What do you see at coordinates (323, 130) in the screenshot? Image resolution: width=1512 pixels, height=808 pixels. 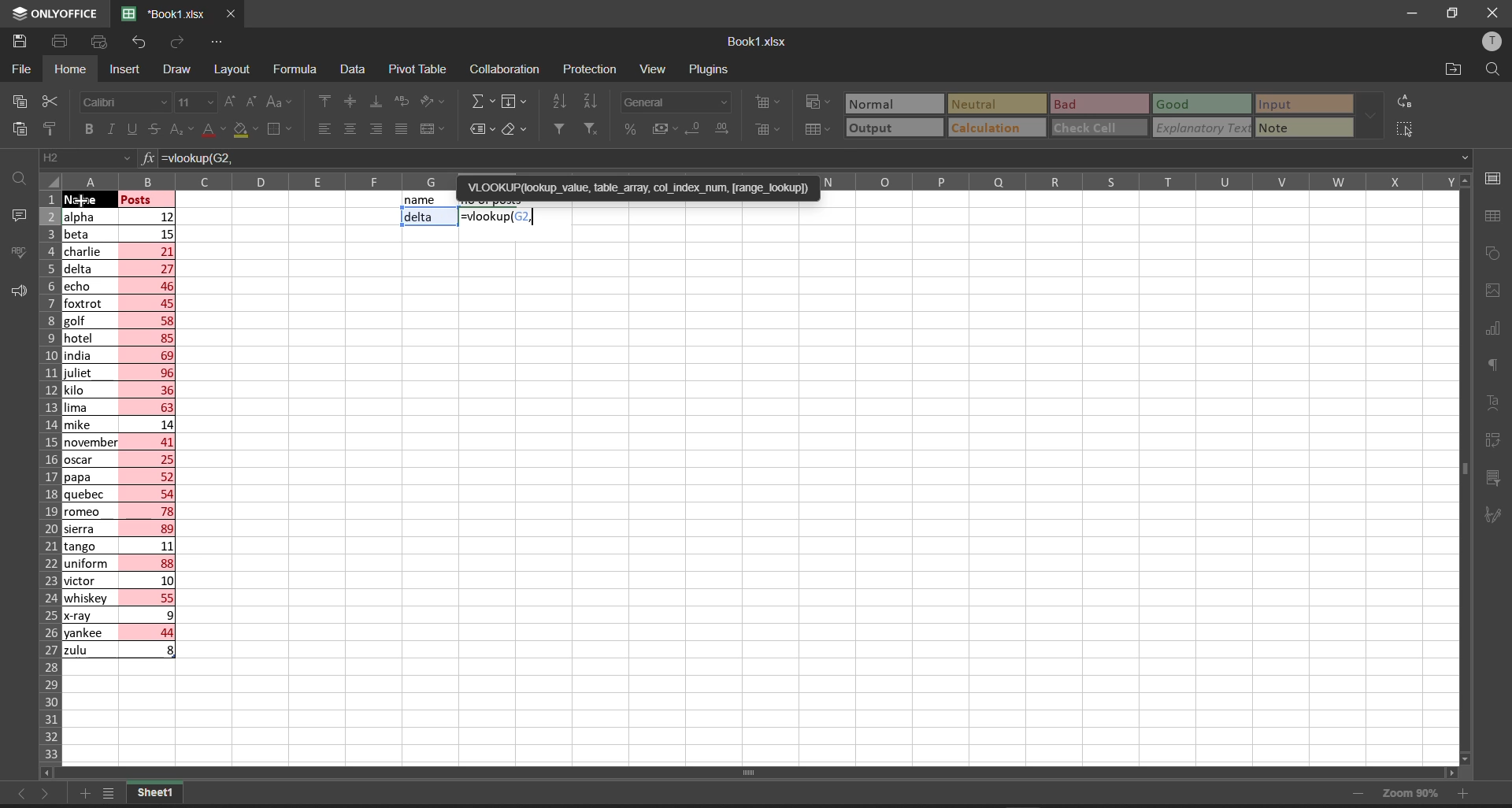 I see `align left` at bounding box center [323, 130].